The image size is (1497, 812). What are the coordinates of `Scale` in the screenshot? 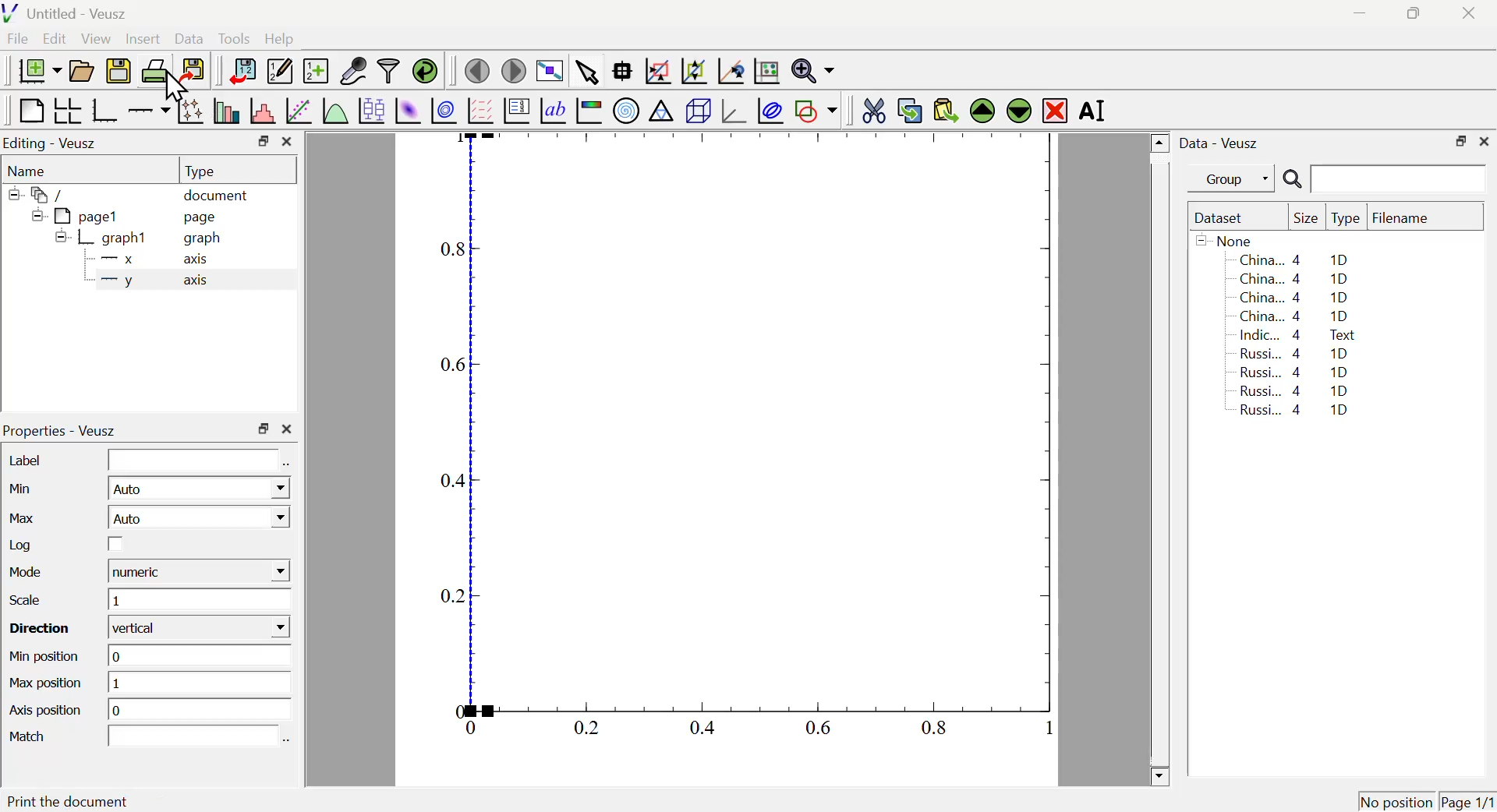 It's located at (24, 600).